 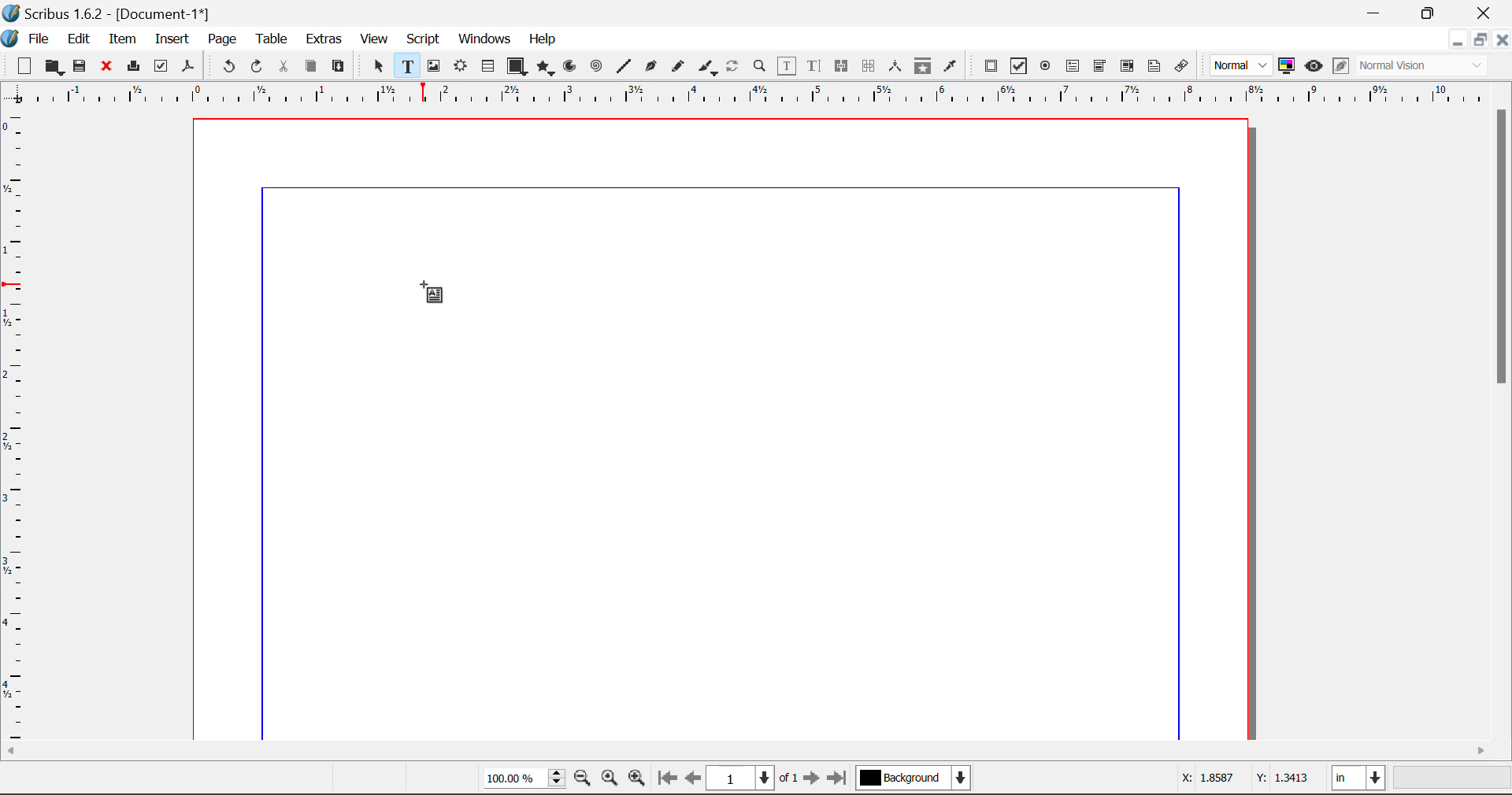 What do you see at coordinates (1045, 67) in the screenshot?
I see `Pdf Radio Button` at bounding box center [1045, 67].